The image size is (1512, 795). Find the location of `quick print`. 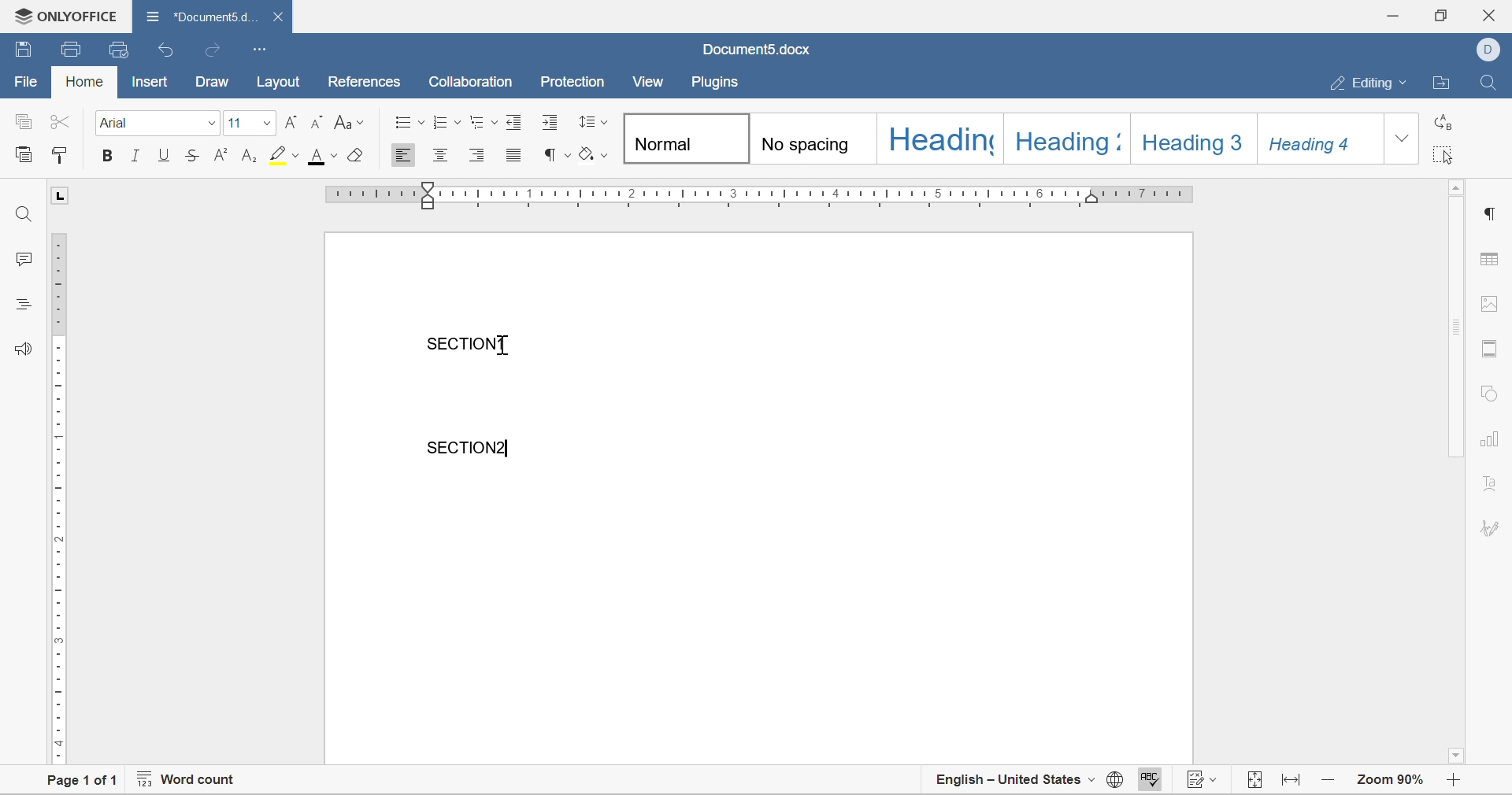

quick print is located at coordinates (120, 49).